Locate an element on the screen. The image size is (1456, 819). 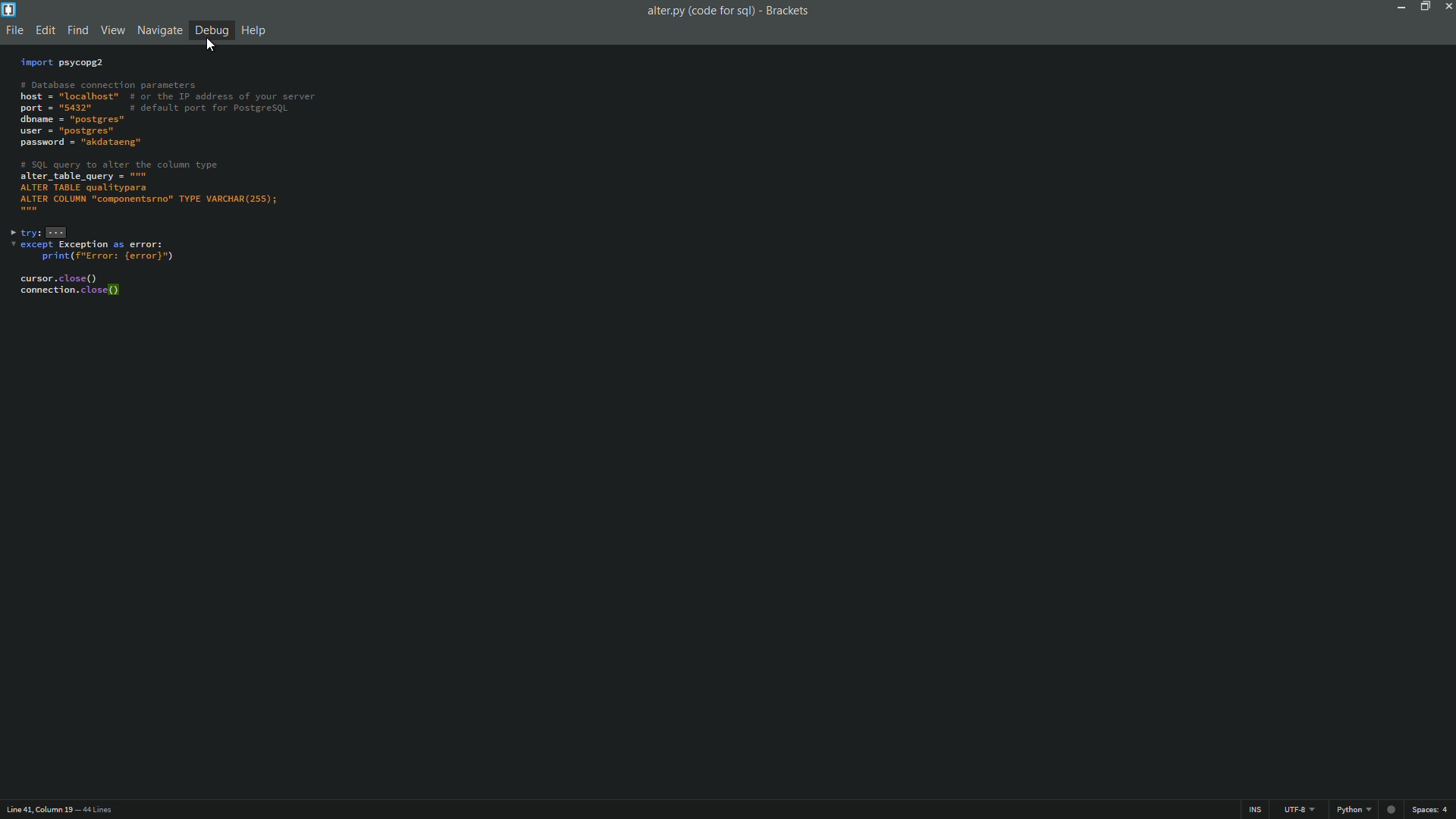
number of lines is located at coordinates (99, 810).